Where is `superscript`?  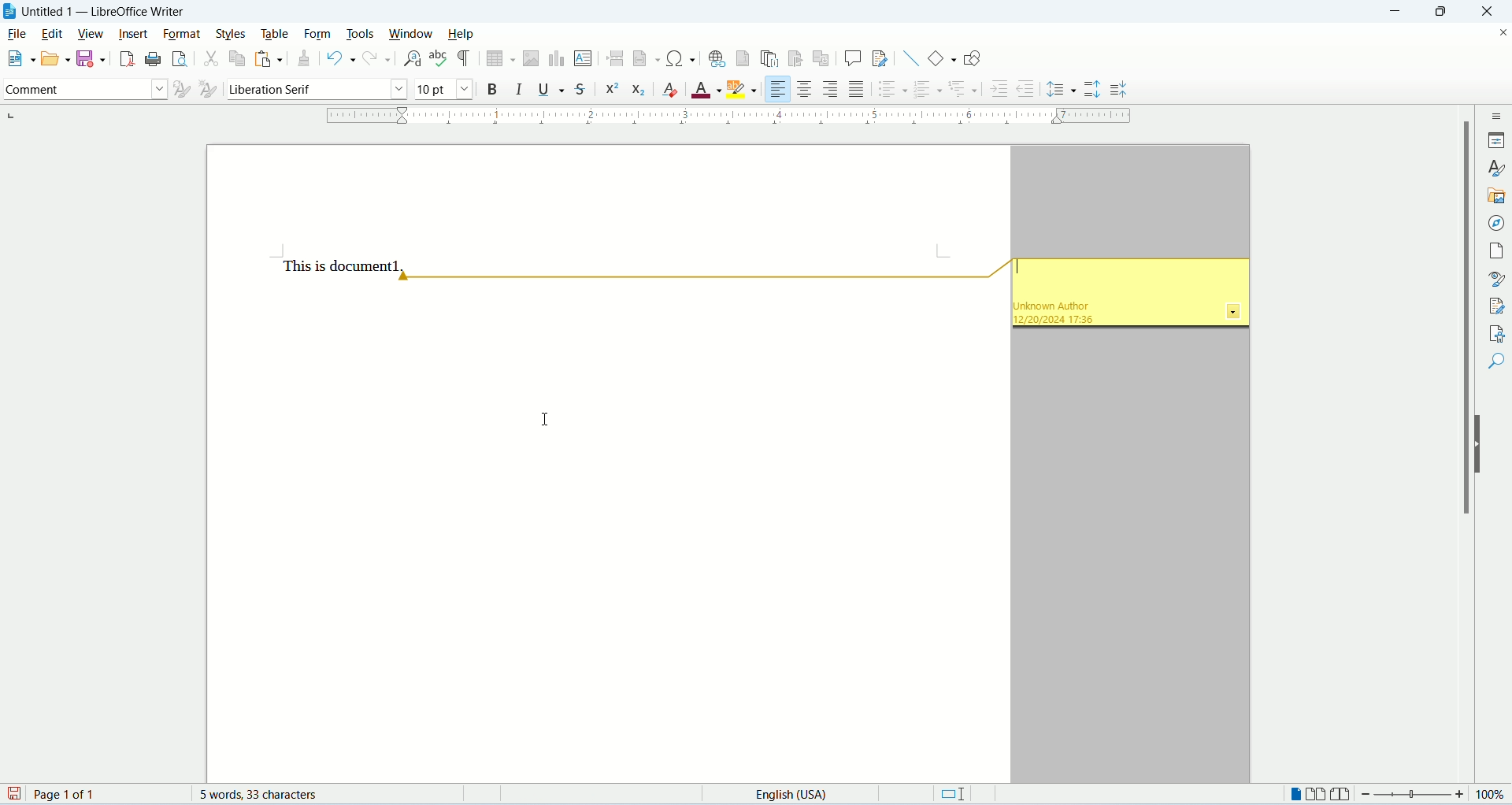
superscript is located at coordinates (612, 90).